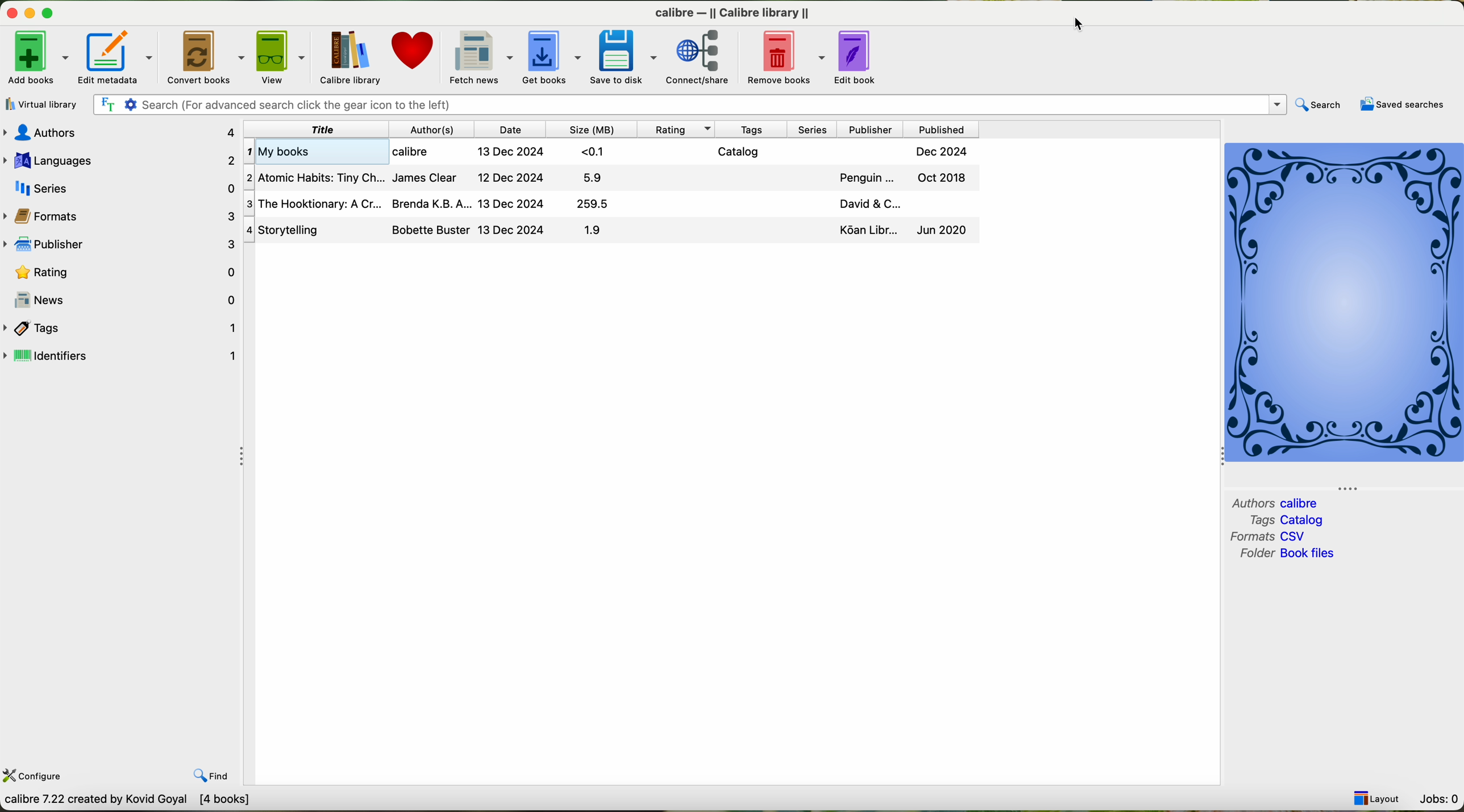 Image resolution: width=1464 pixels, height=812 pixels. Describe the element at coordinates (1401, 106) in the screenshot. I see `saved searches` at that location.